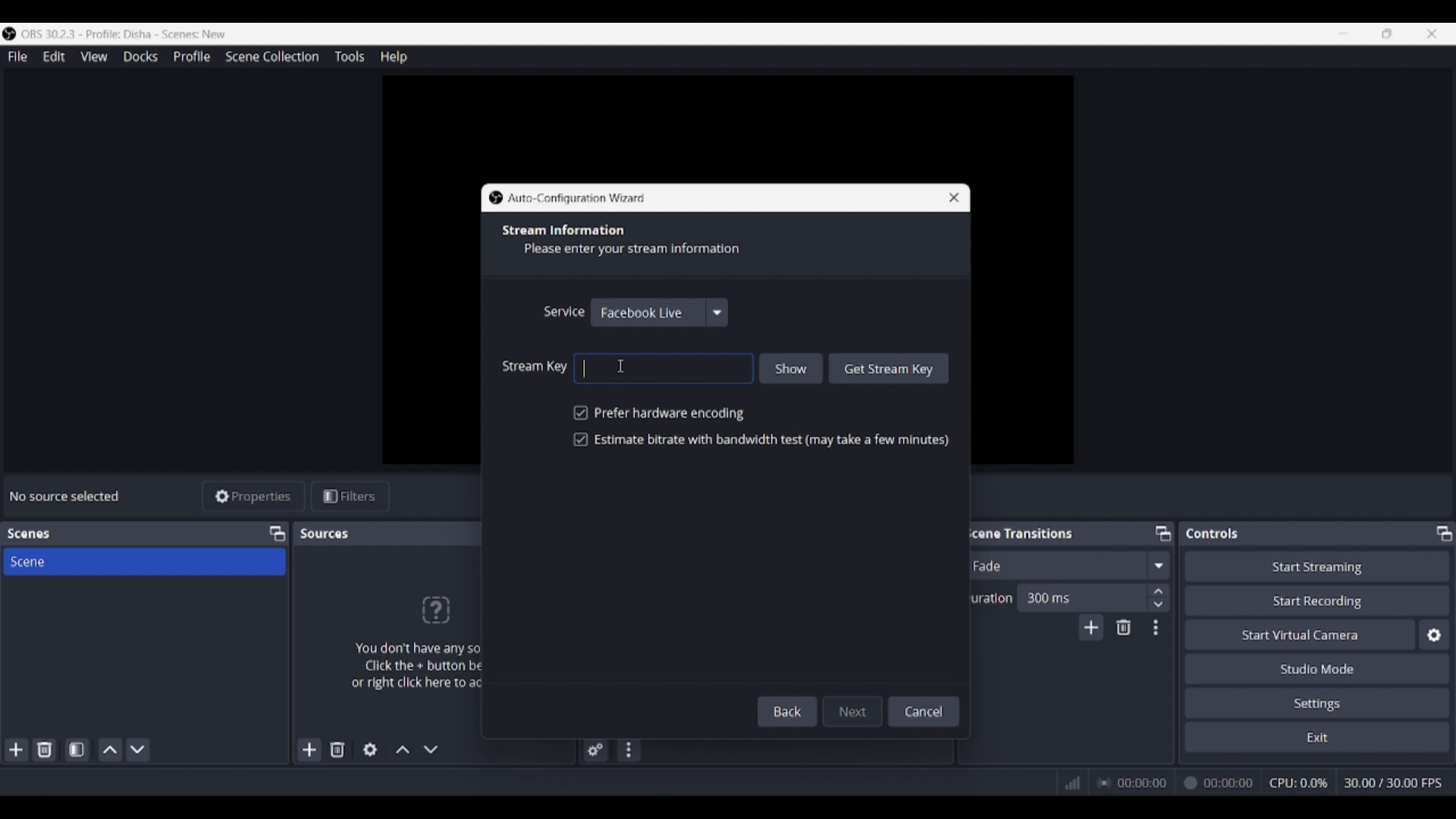 Image resolution: width=1456 pixels, height=819 pixels. Describe the element at coordinates (277, 534) in the screenshot. I see `Float scenes` at that location.